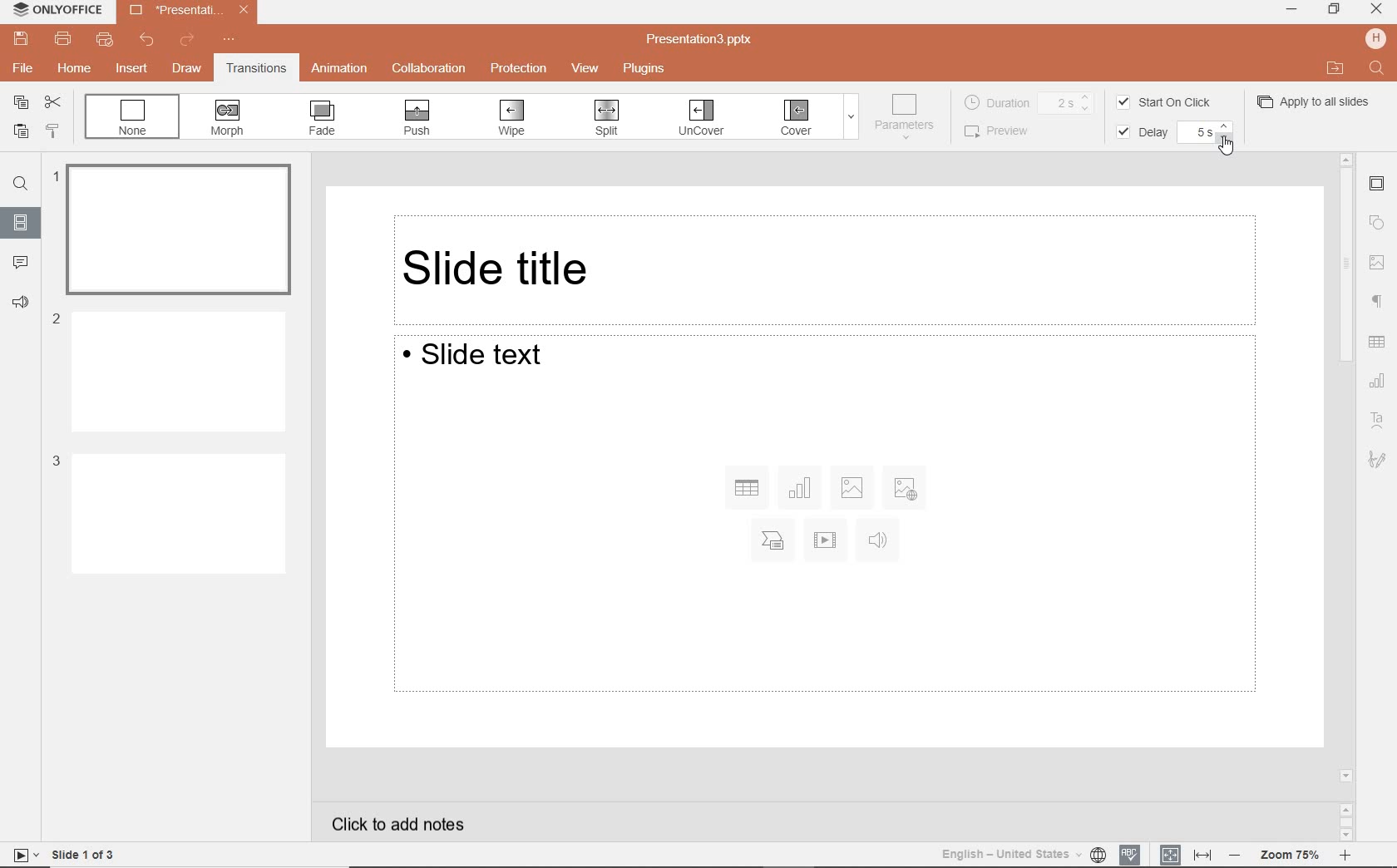 This screenshot has width=1397, height=868. I want to click on EXPAND, so click(851, 120).